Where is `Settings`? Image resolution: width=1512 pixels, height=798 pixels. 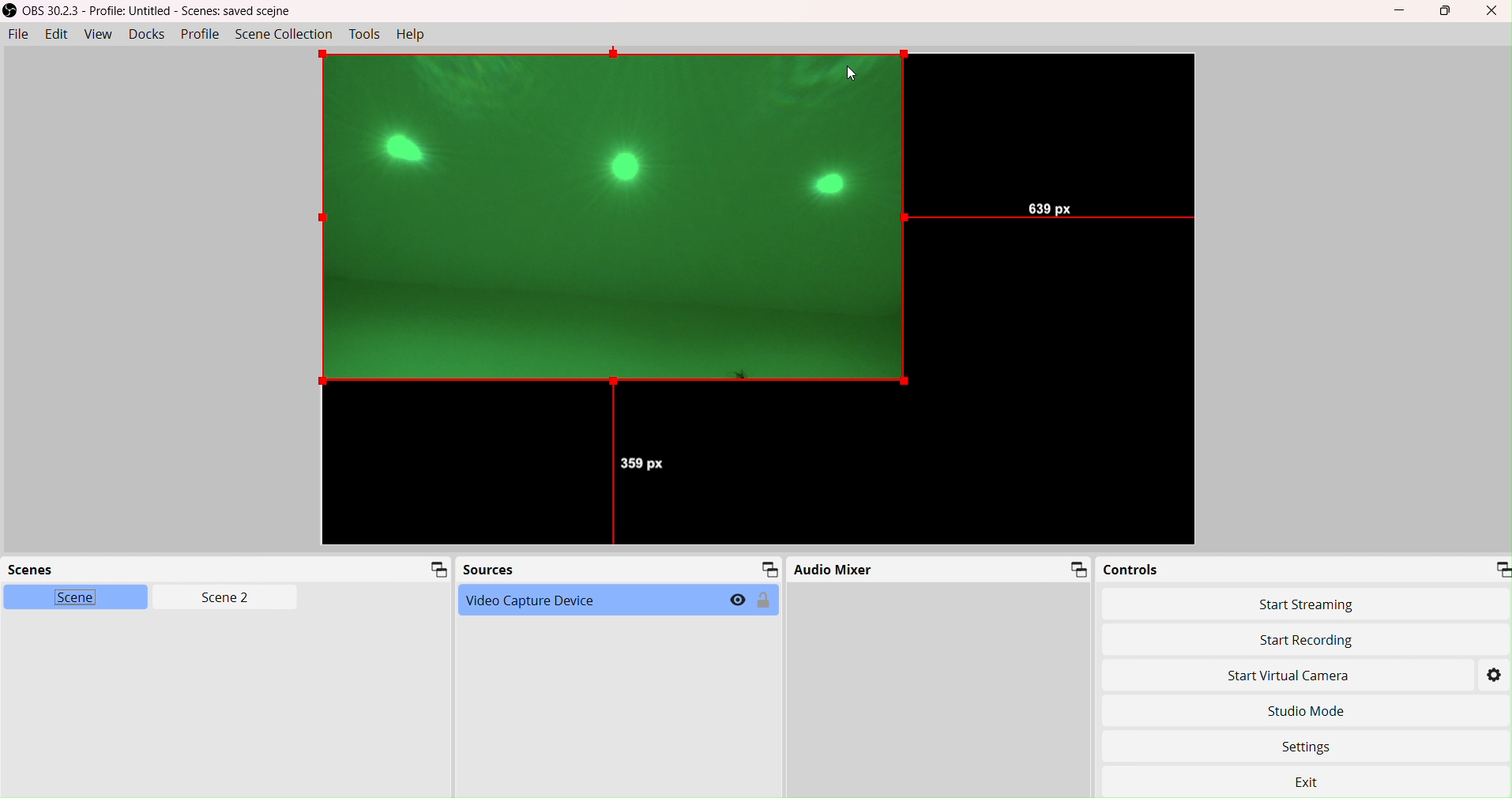
Settings is located at coordinates (1494, 674).